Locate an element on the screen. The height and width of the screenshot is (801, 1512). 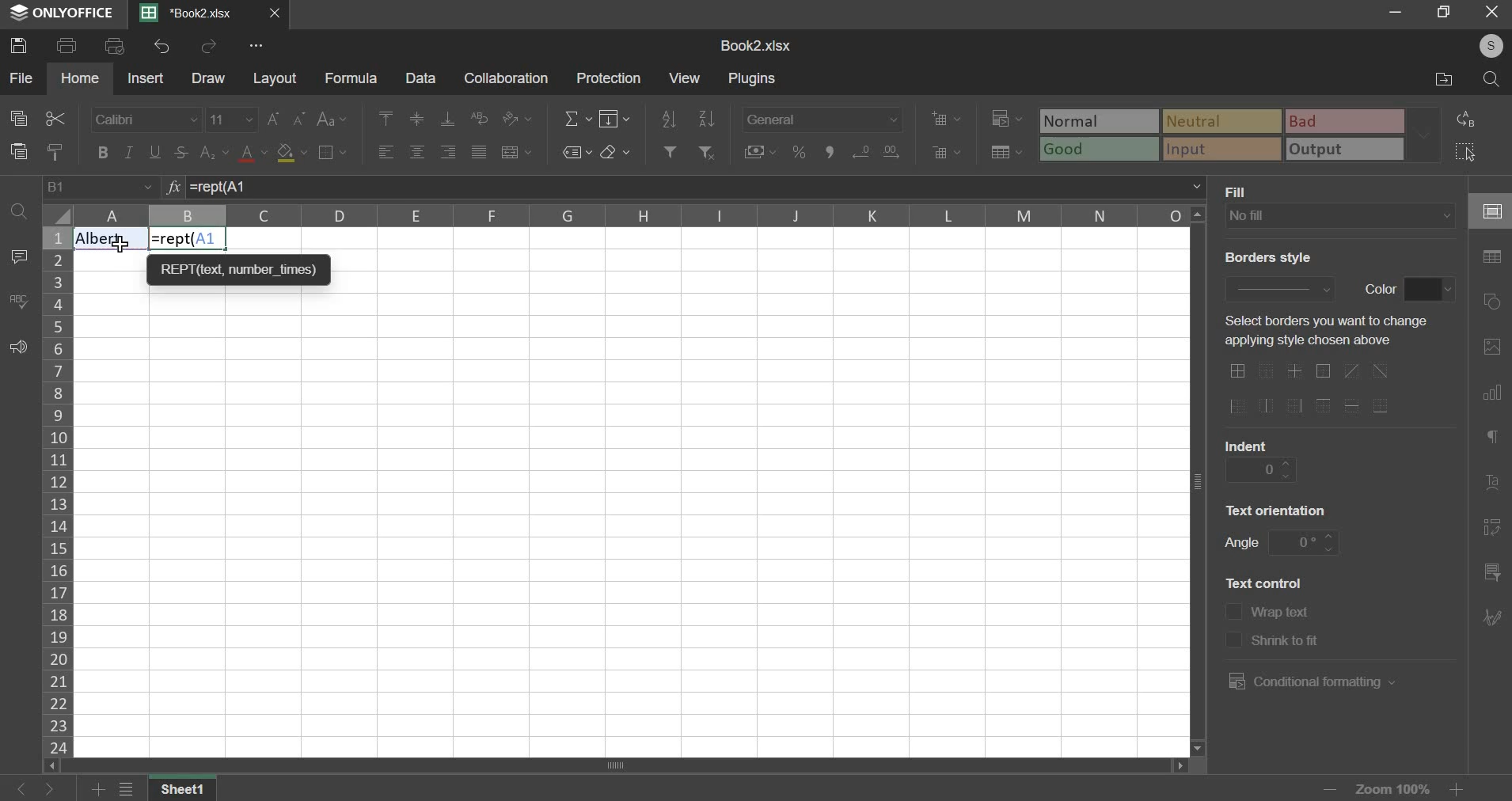
fill is located at coordinates (614, 119).